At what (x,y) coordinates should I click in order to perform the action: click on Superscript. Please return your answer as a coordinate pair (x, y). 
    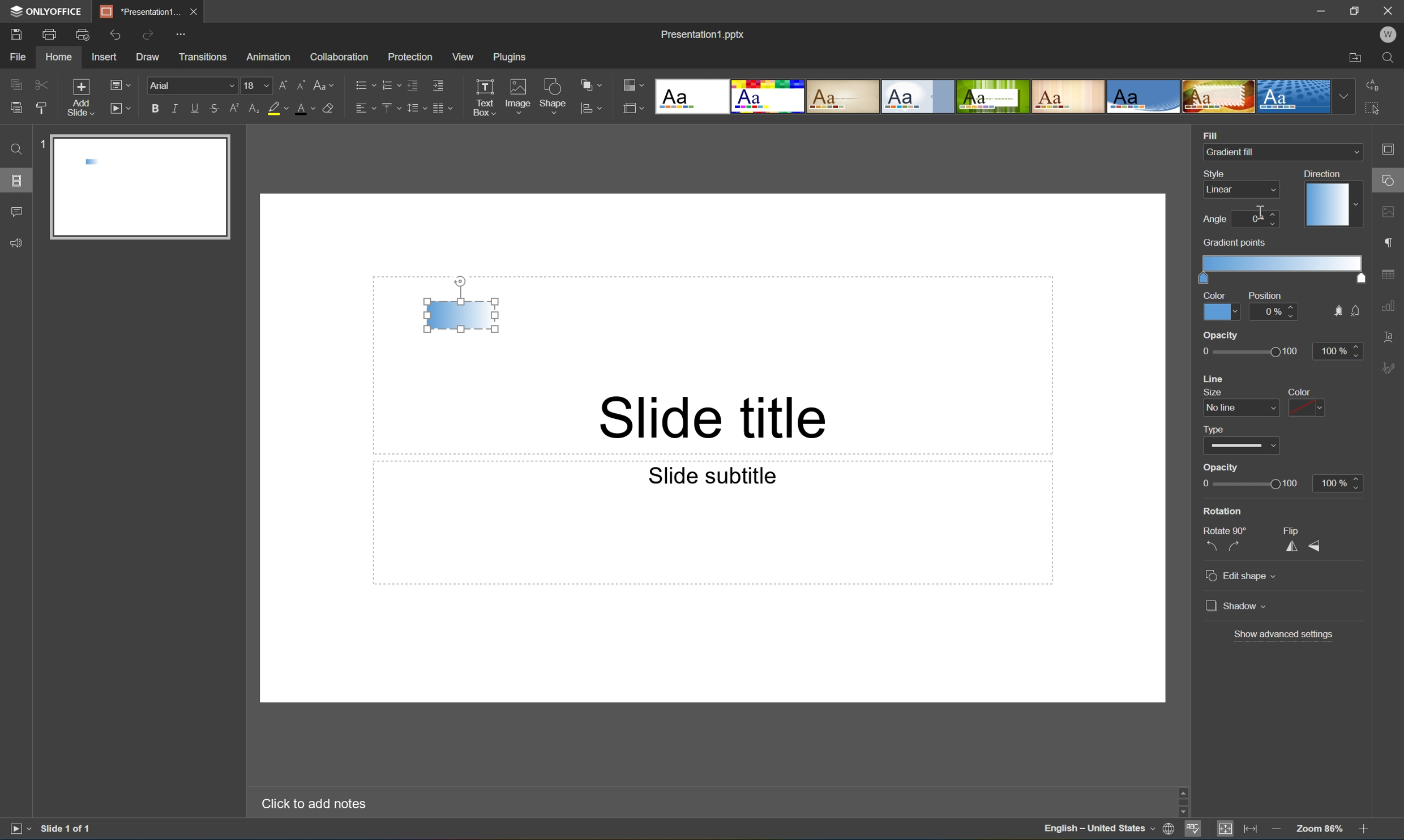
    Looking at the image, I should click on (236, 109).